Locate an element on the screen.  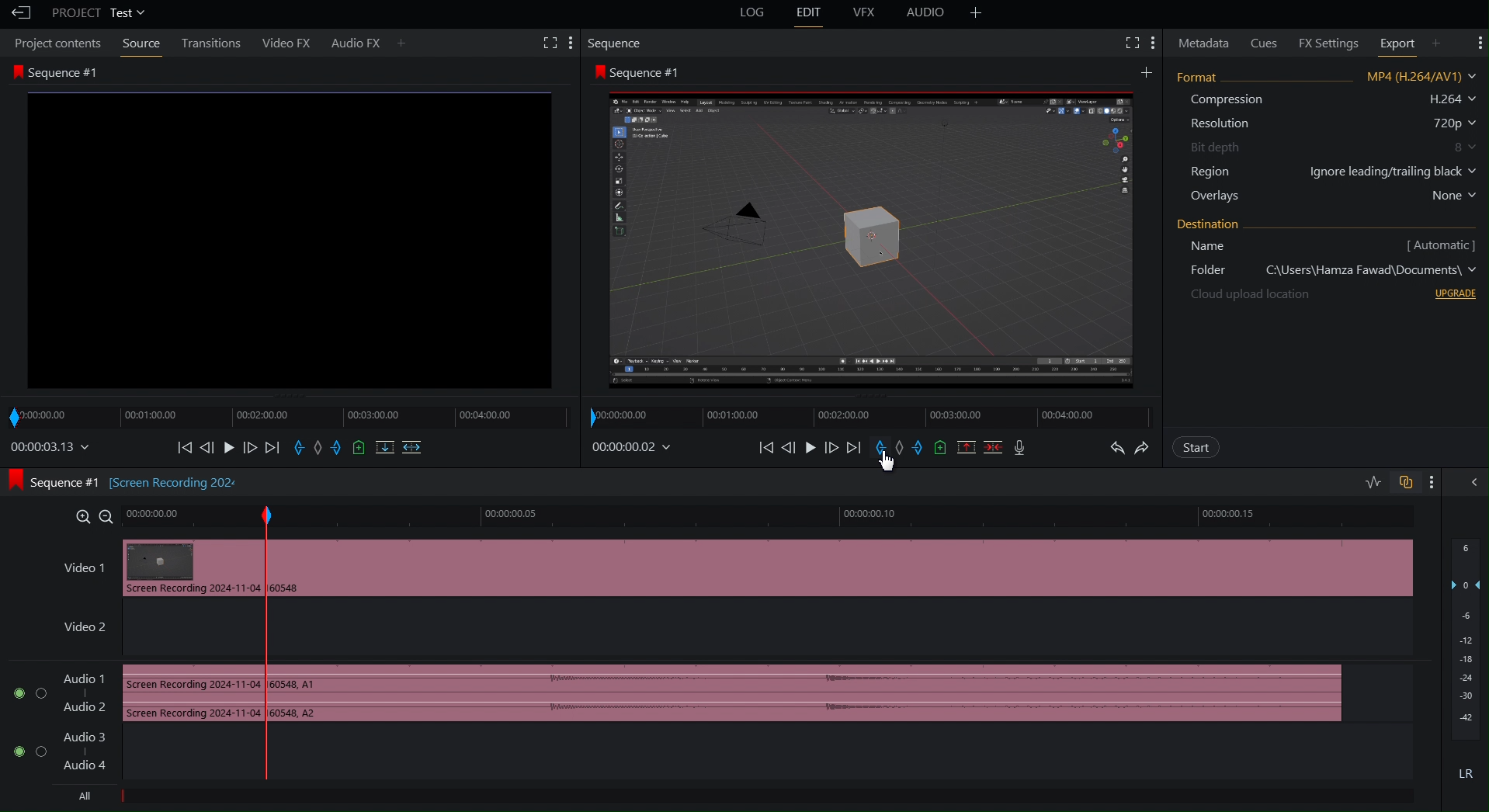
Video Clip is located at coordinates (852, 574).